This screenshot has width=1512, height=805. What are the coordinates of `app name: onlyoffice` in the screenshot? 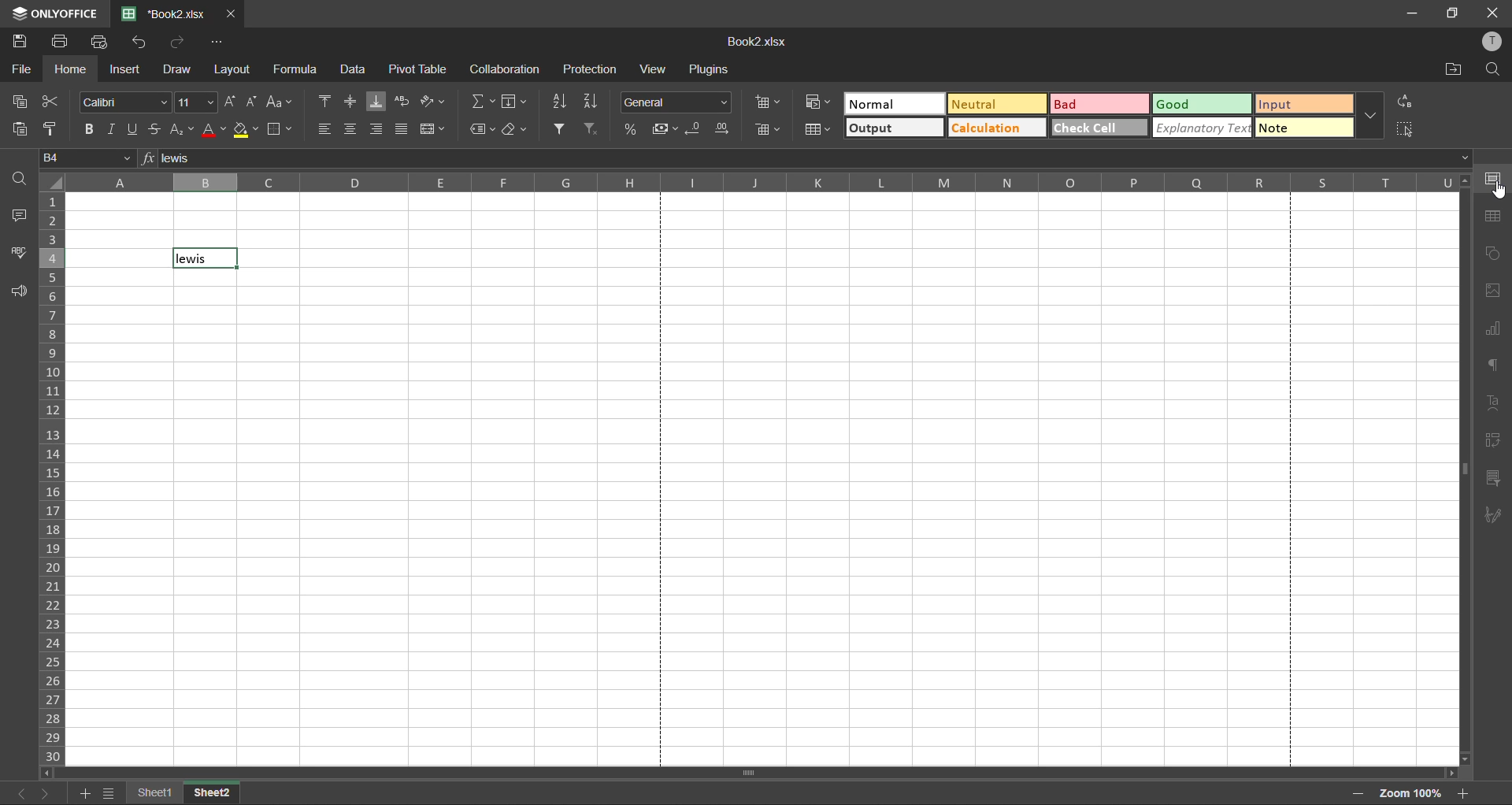 It's located at (50, 14).